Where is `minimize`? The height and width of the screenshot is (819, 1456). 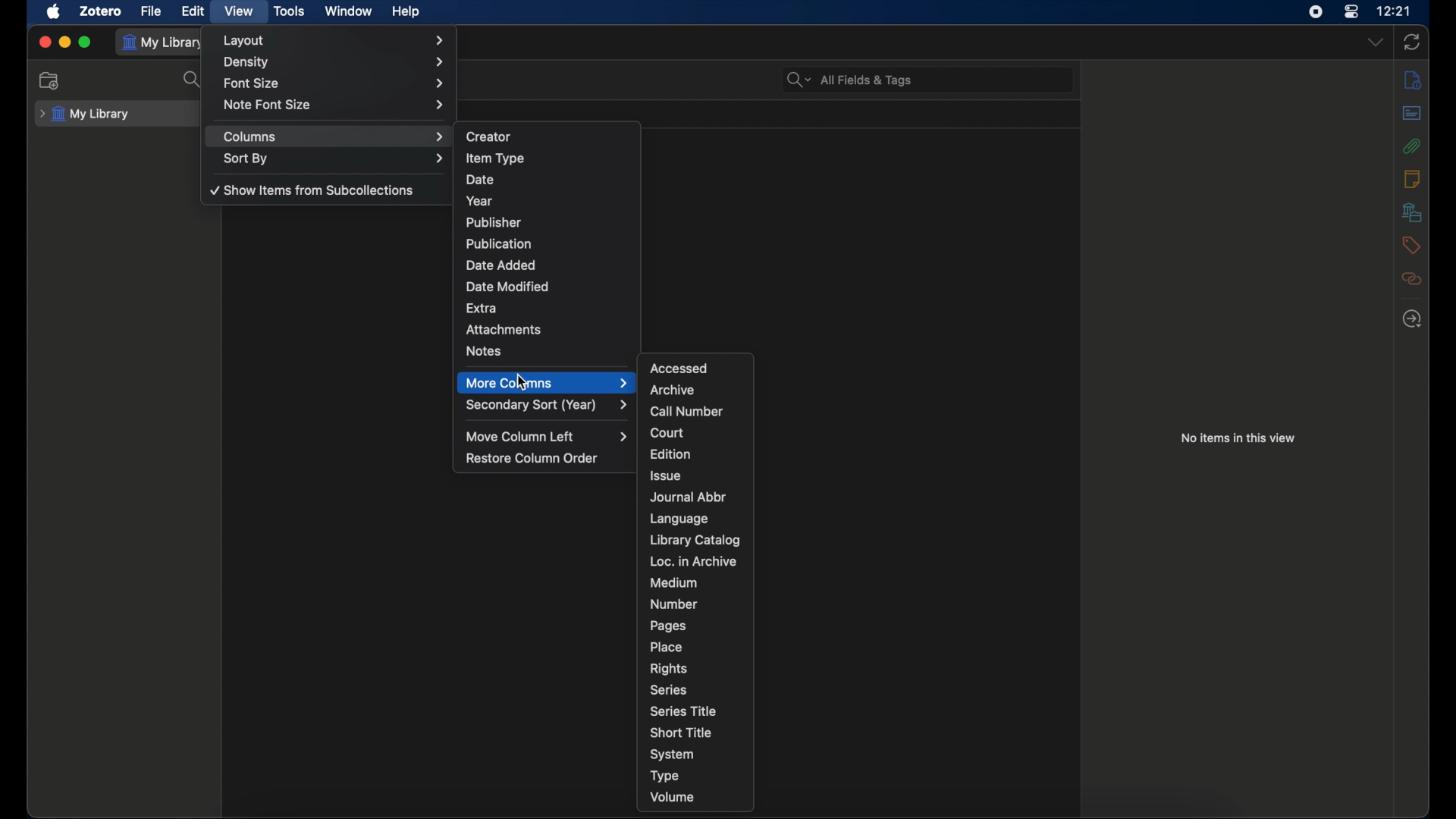 minimize is located at coordinates (65, 42).